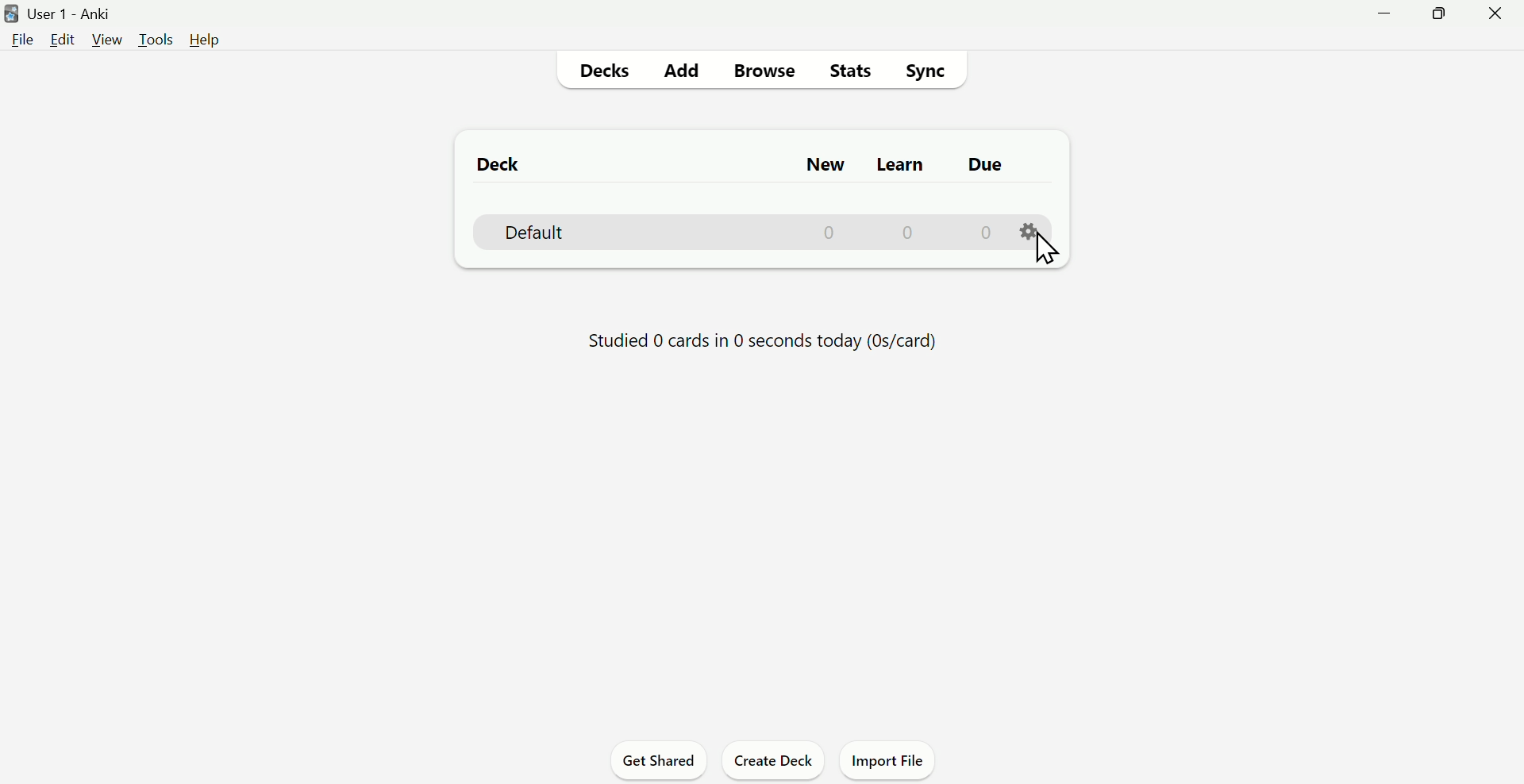 The image size is (1524, 784). Describe the element at coordinates (757, 70) in the screenshot. I see `Browse` at that location.